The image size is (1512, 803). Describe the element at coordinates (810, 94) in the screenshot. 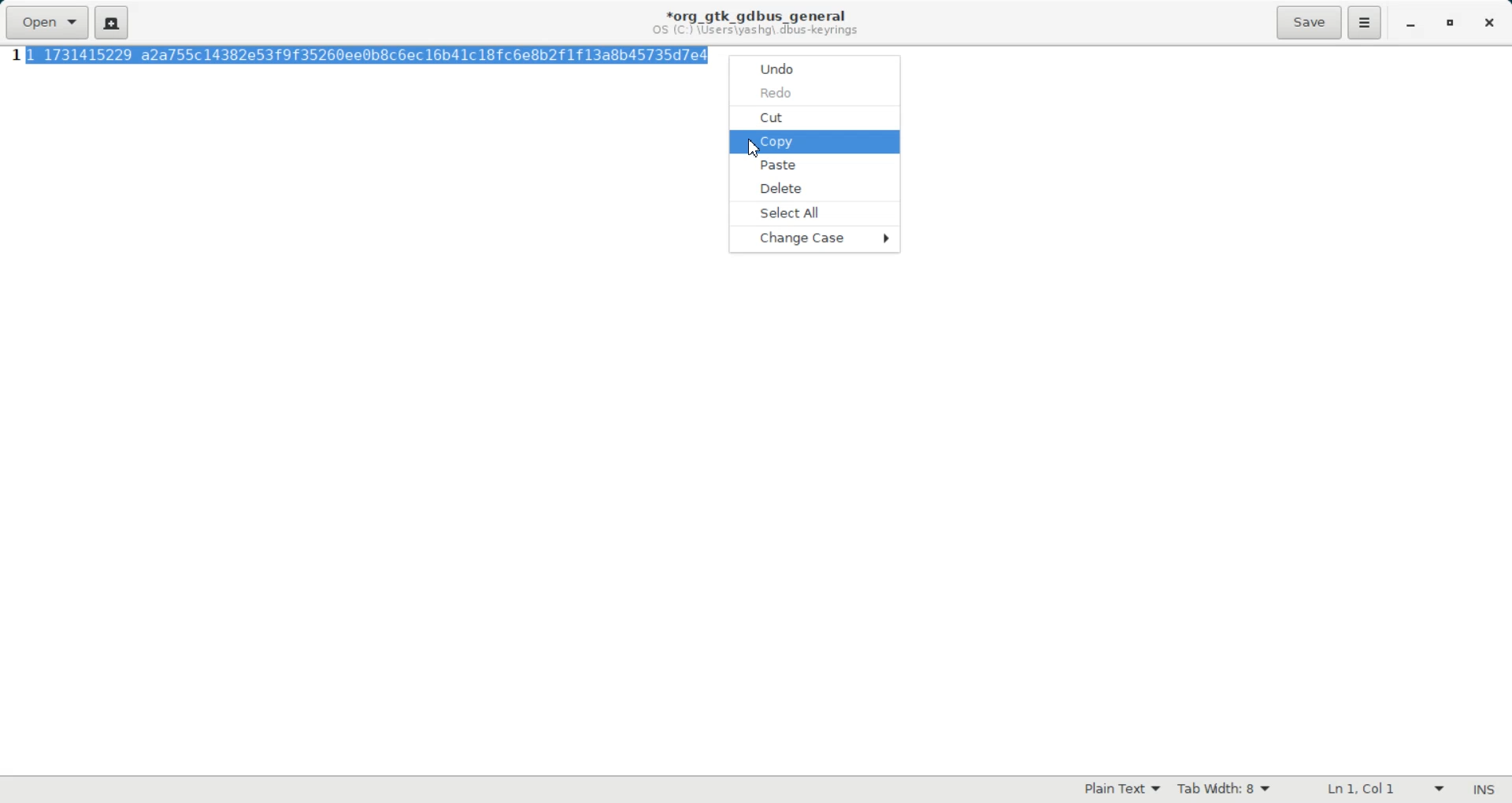

I see `Redo` at that location.